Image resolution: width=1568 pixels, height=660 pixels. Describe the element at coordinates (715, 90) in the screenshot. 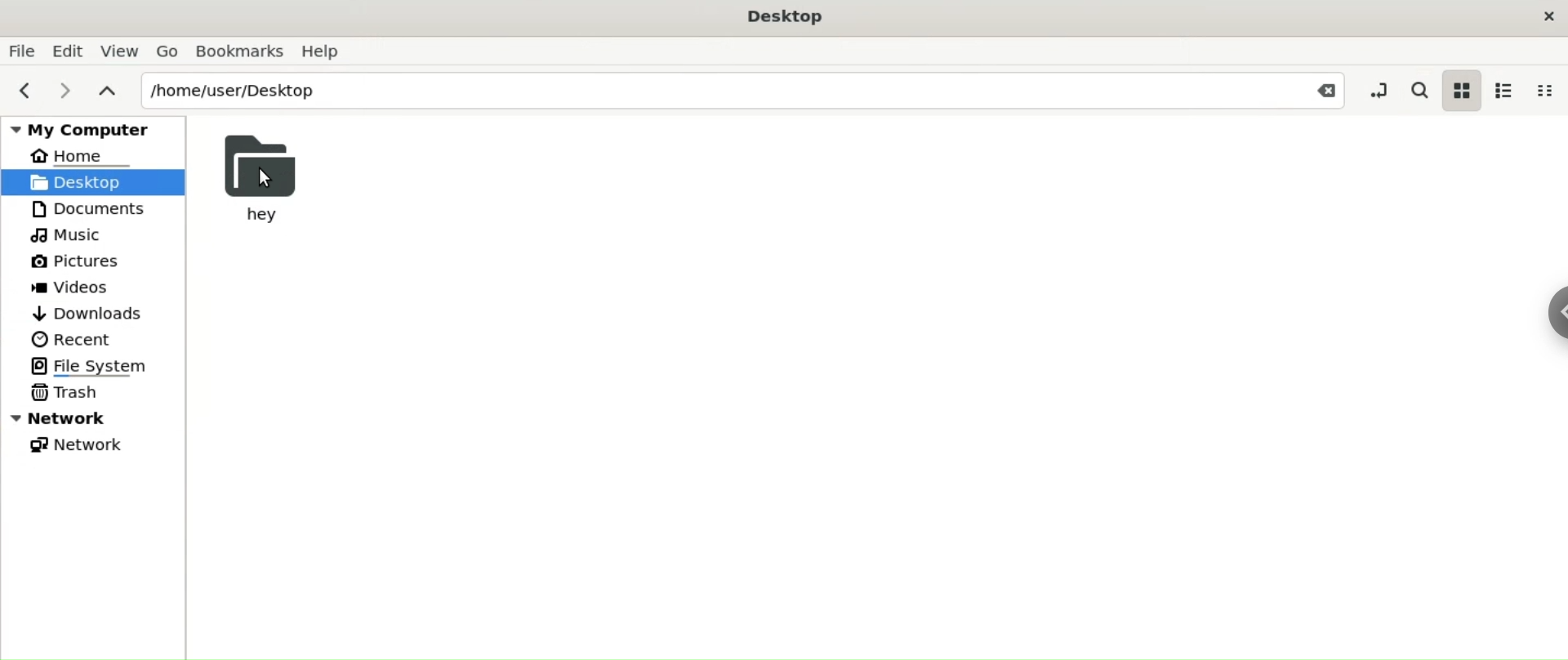

I see `/home/user/Desktop` at that location.